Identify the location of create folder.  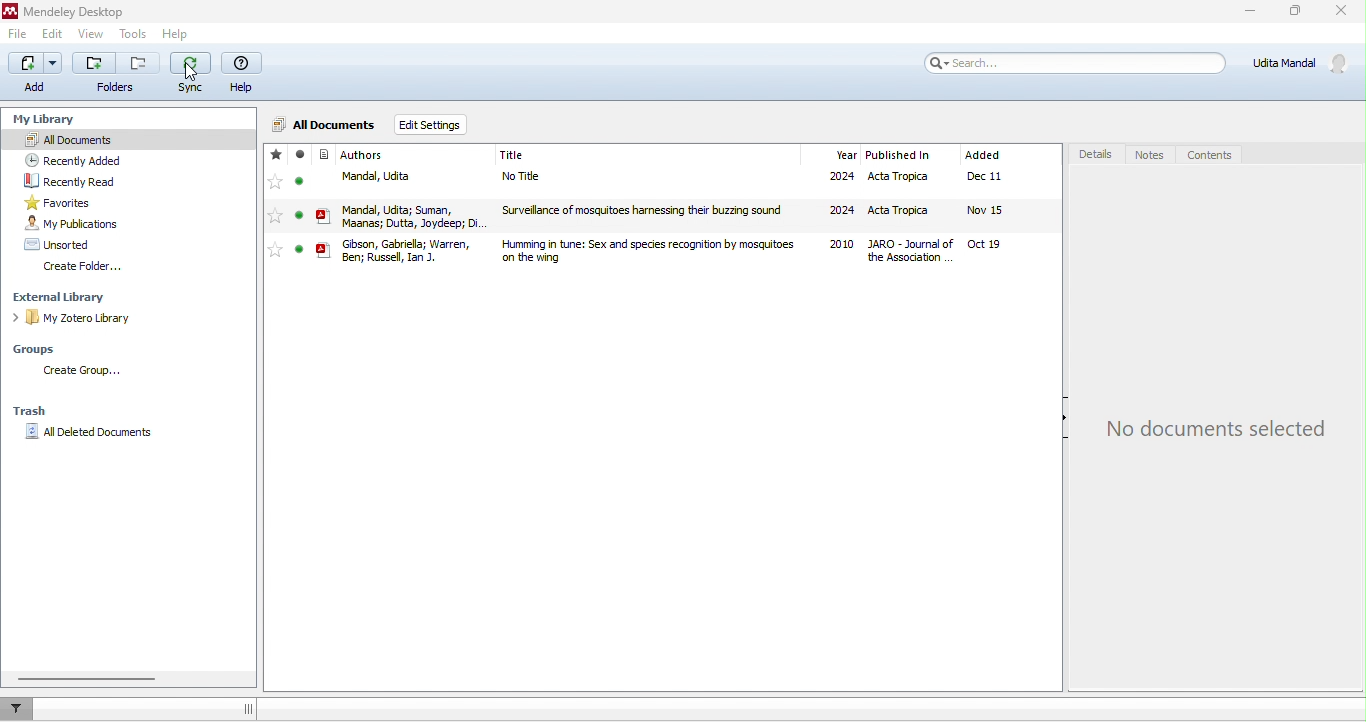
(86, 267).